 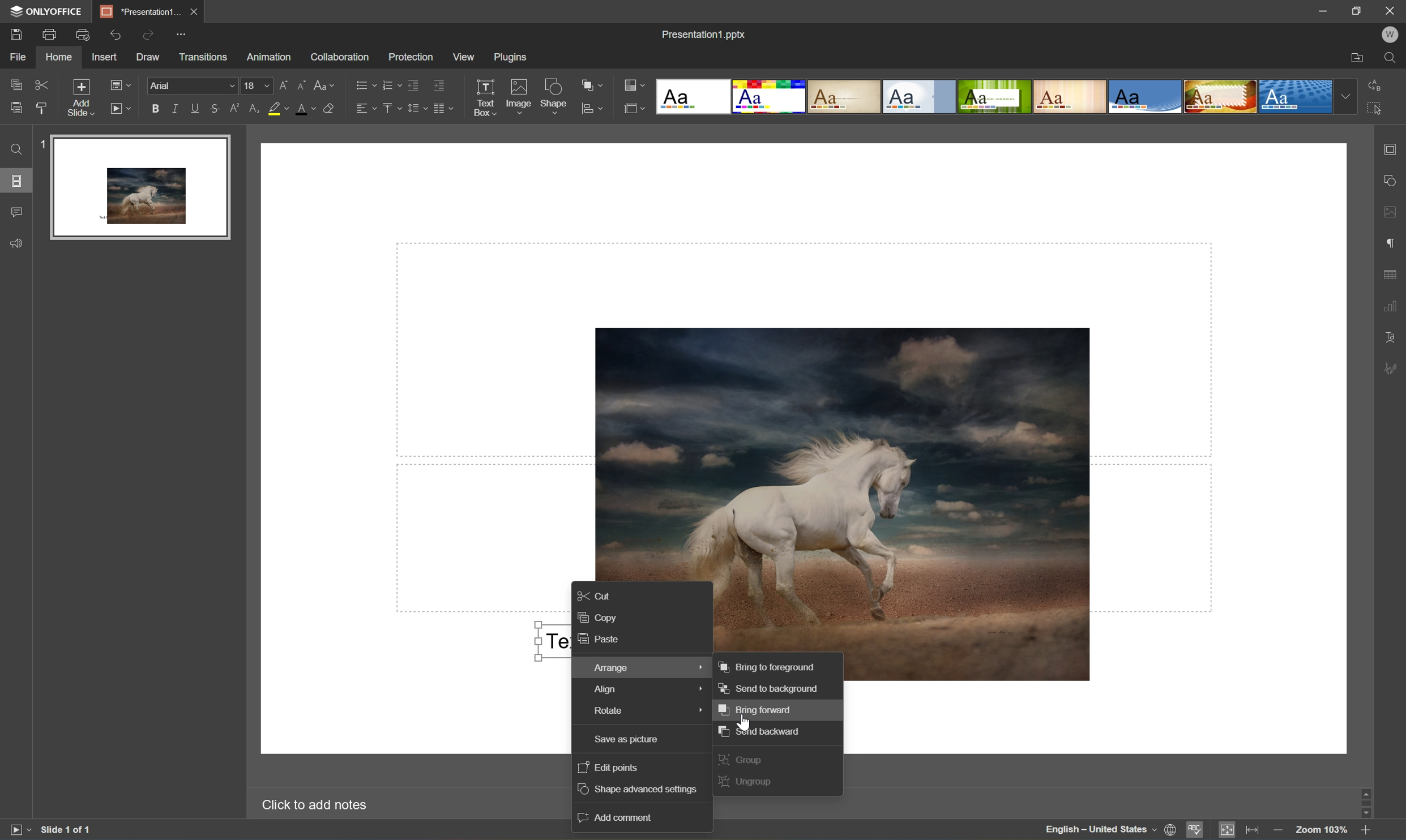 I want to click on Replace, so click(x=1376, y=85).